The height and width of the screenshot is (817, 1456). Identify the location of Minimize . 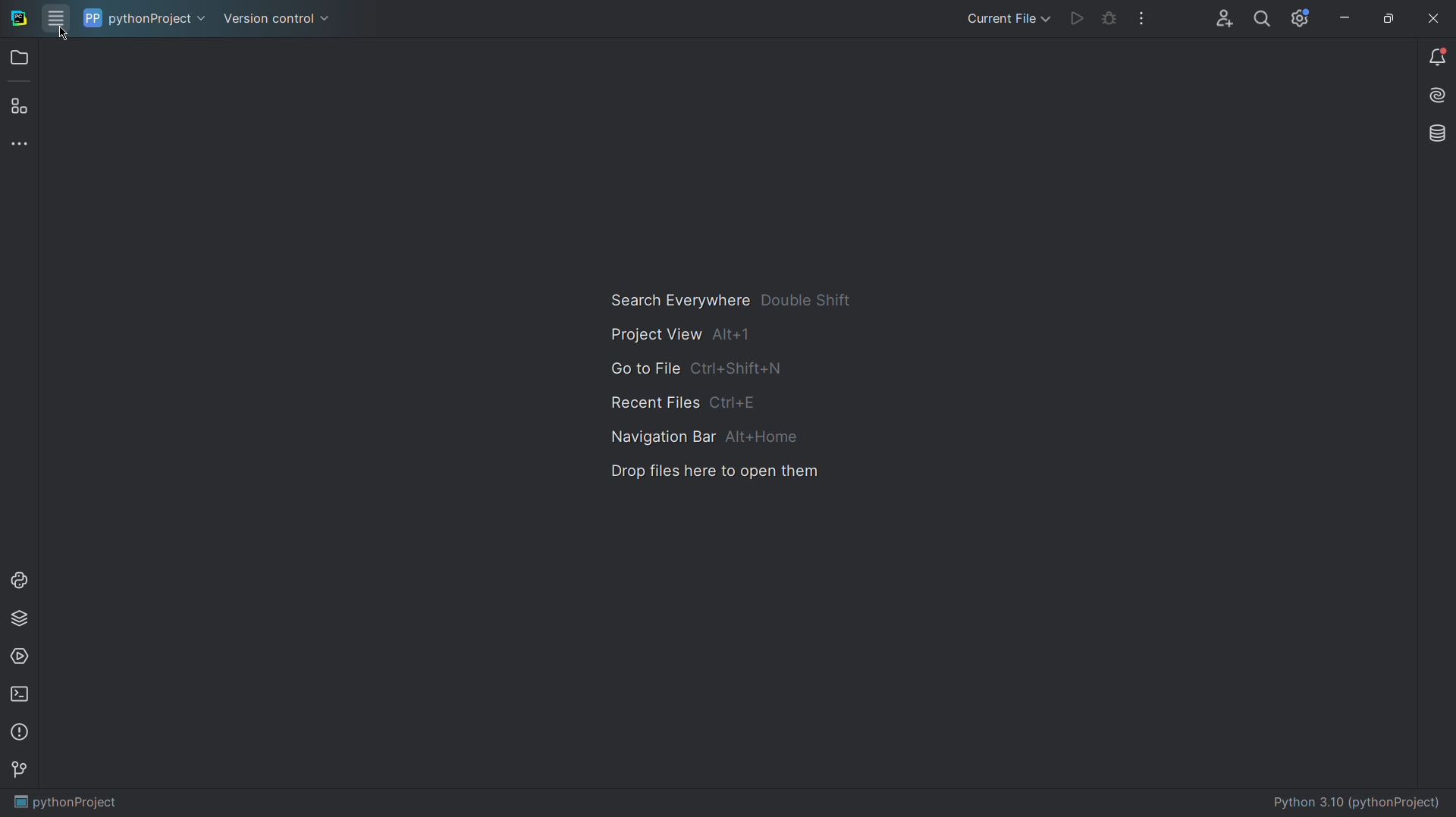
(1344, 18).